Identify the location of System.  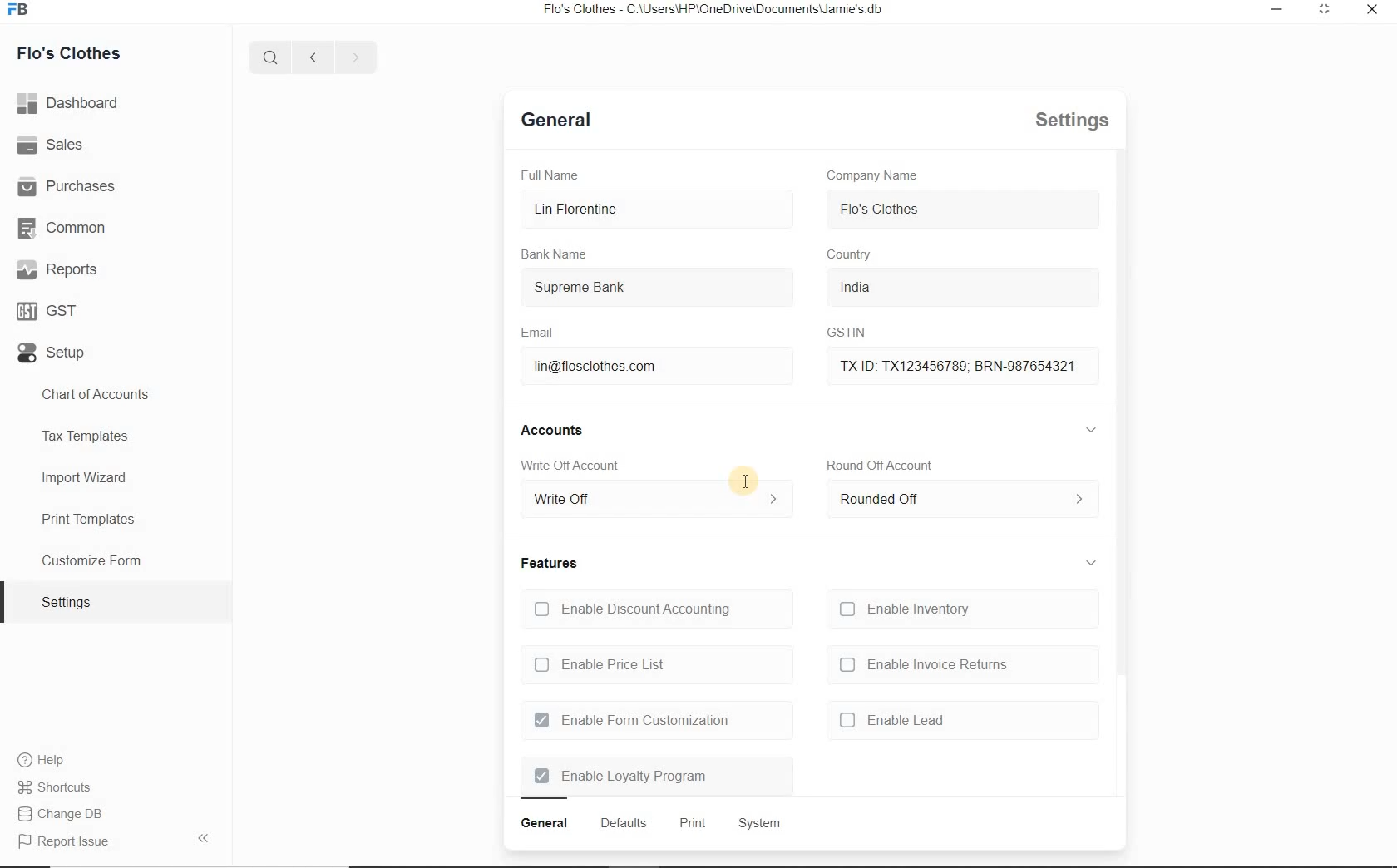
(763, 824).